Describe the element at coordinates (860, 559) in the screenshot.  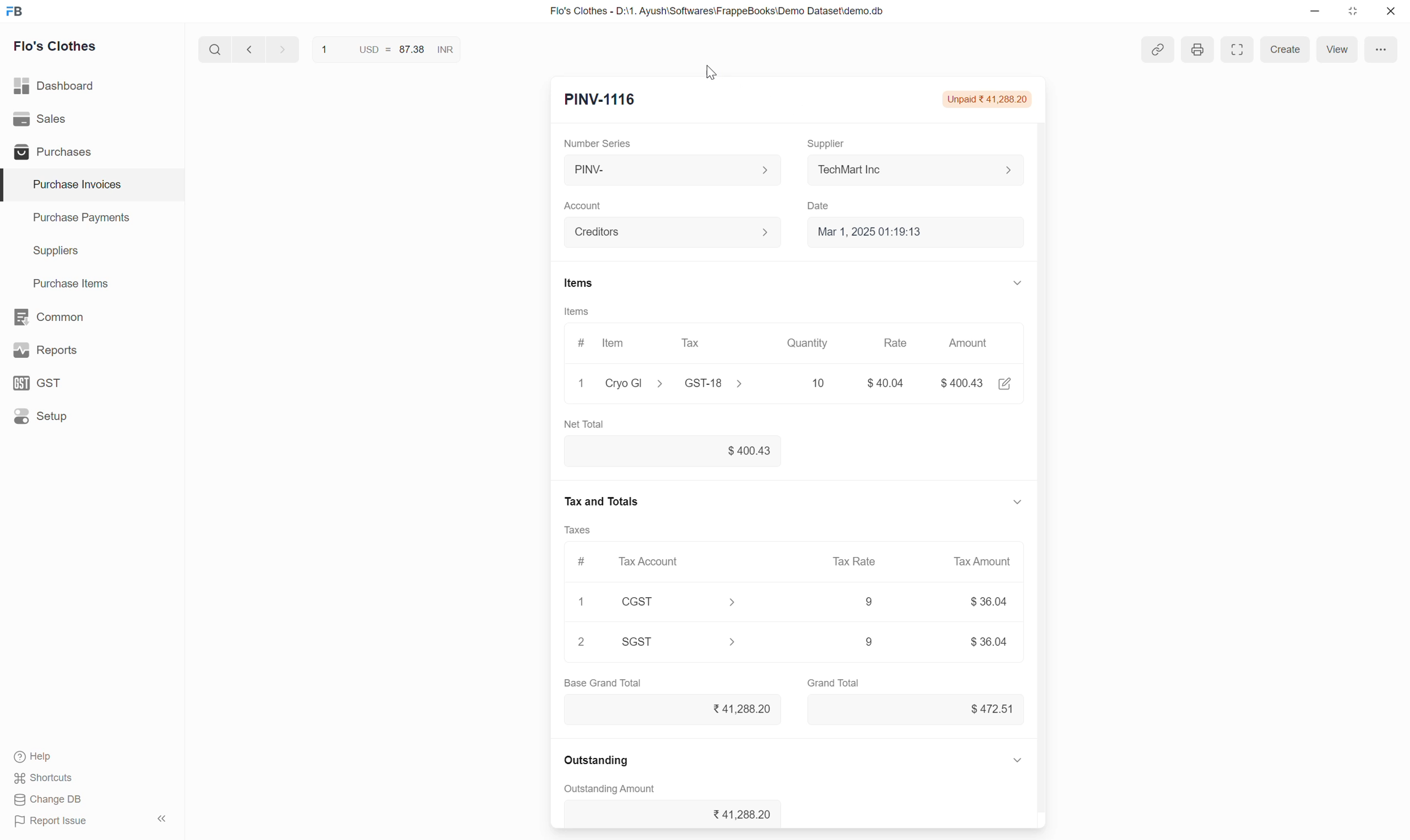
I see `Tax Rate` at that location.